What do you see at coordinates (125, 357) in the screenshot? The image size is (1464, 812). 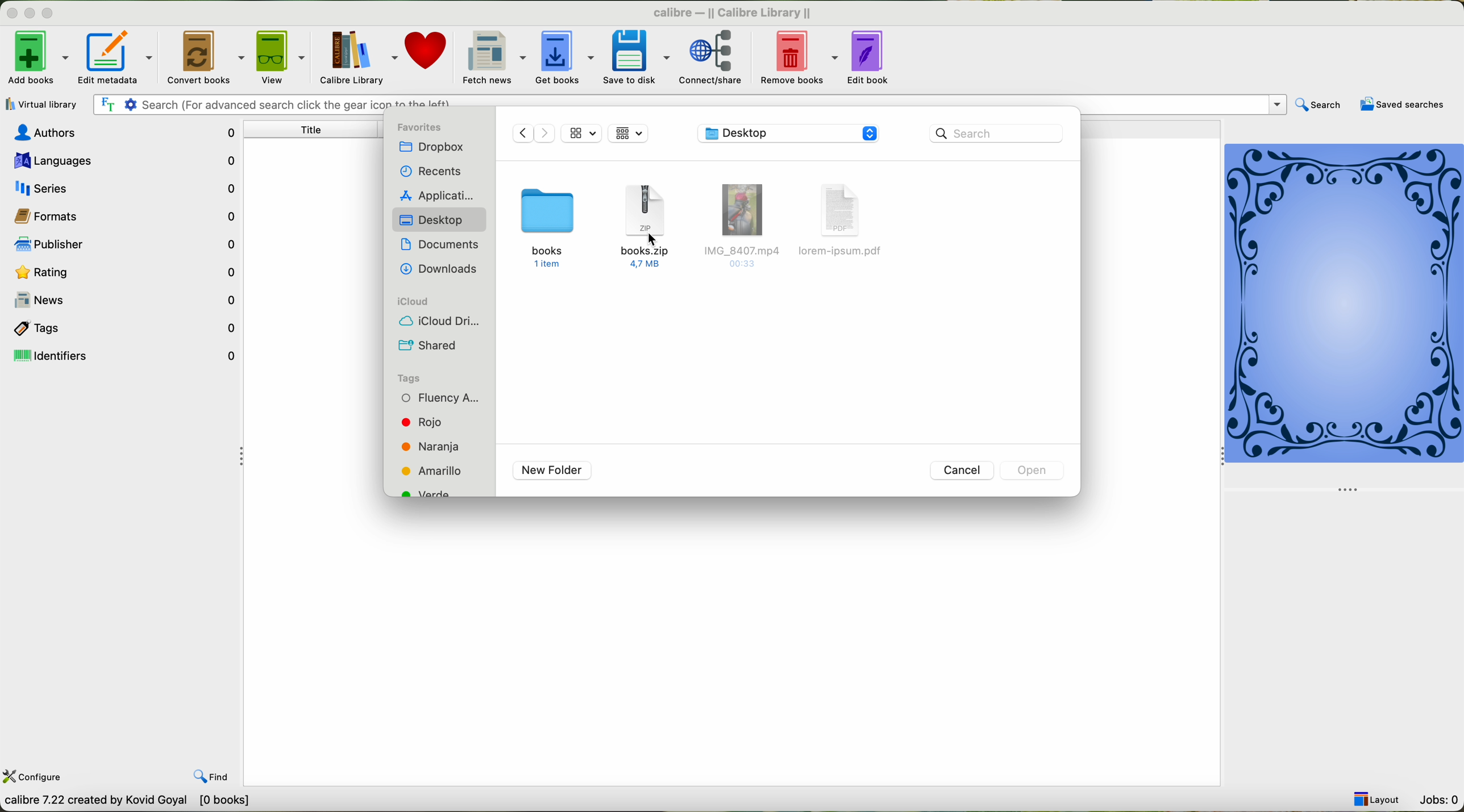 I see `identifiers` at bounding box center [125, 357].